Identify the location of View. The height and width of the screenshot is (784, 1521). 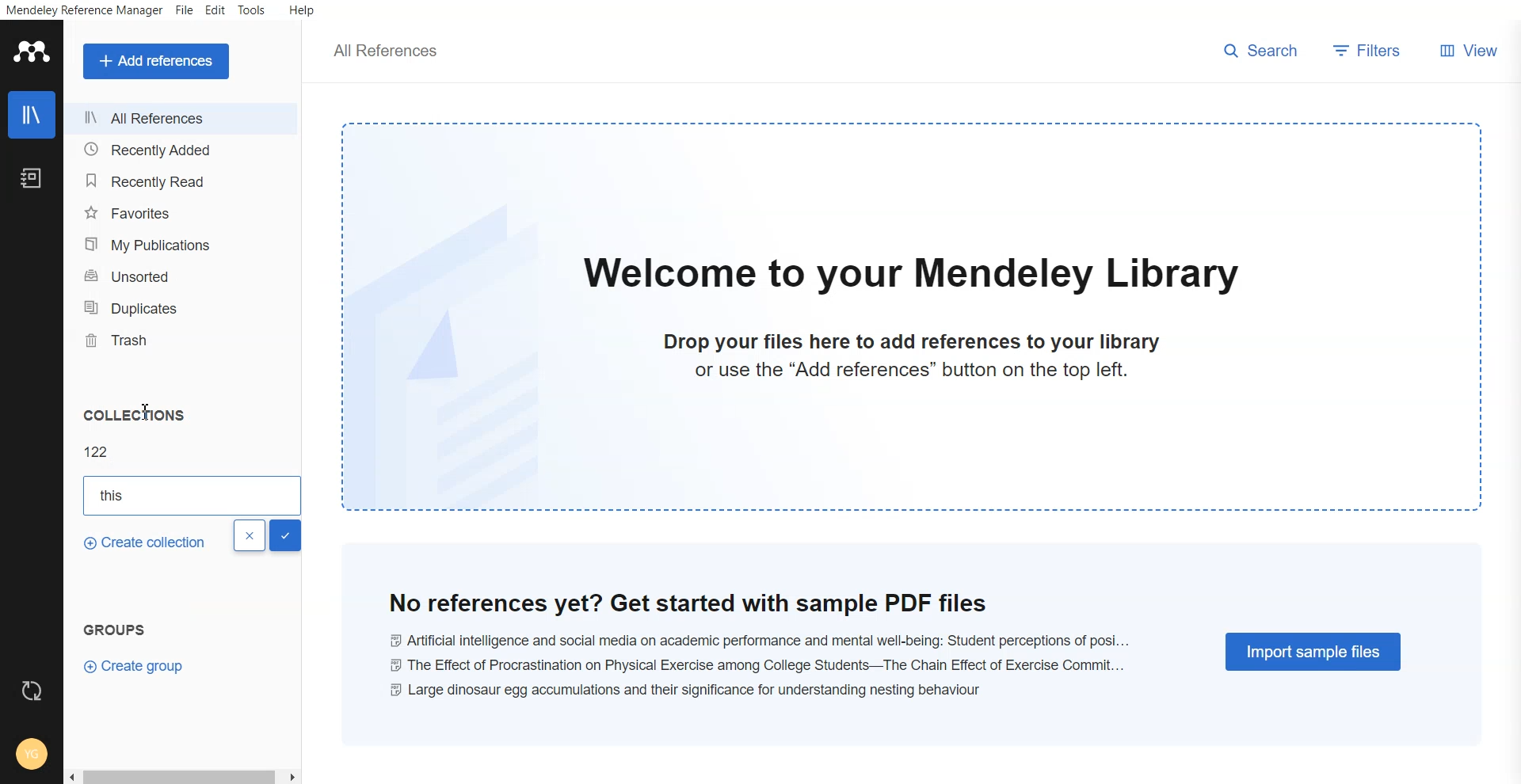
(1465, 49).